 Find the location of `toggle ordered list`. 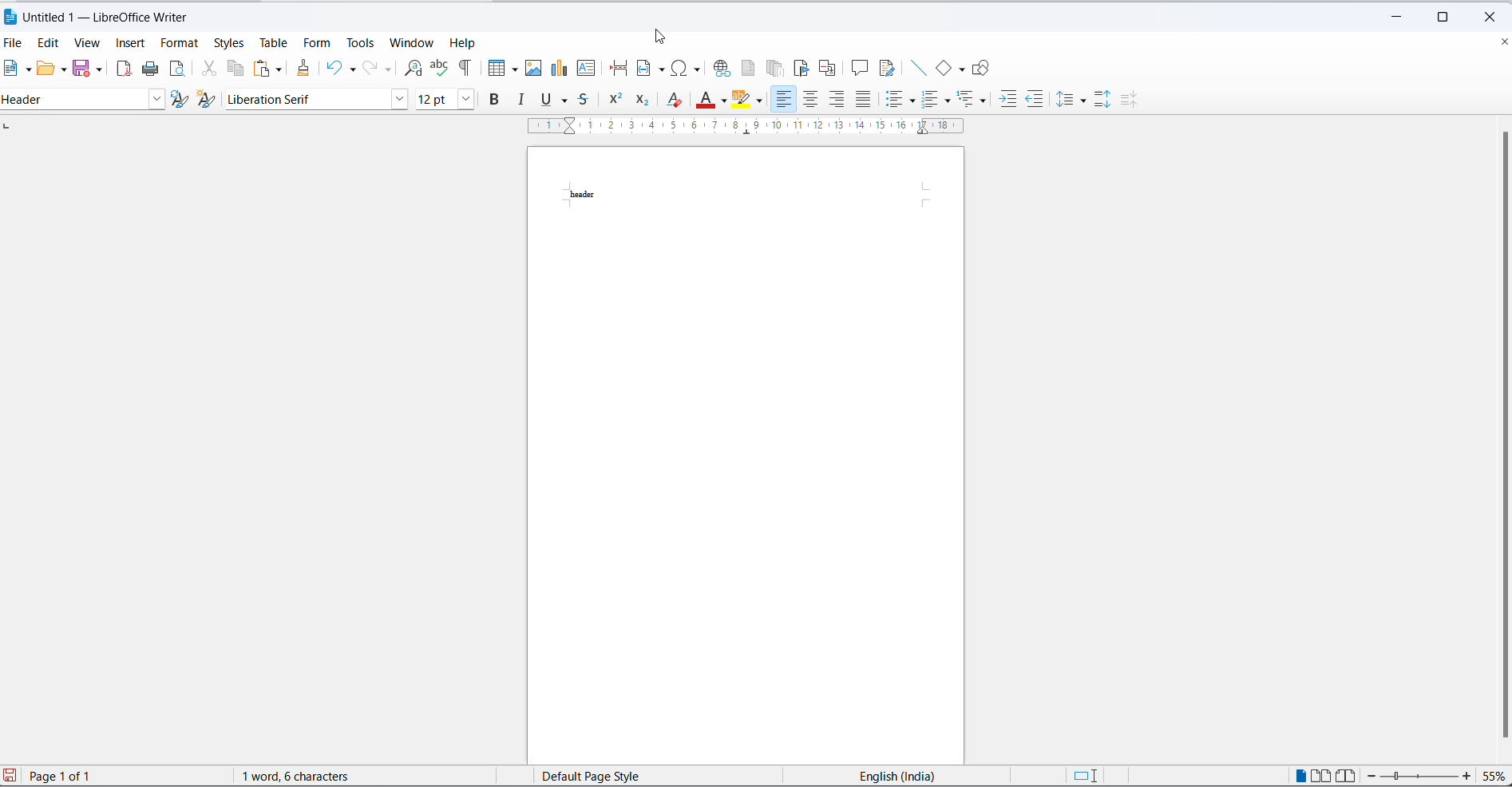

toggle ordered list is located at coordinates (933, 99).